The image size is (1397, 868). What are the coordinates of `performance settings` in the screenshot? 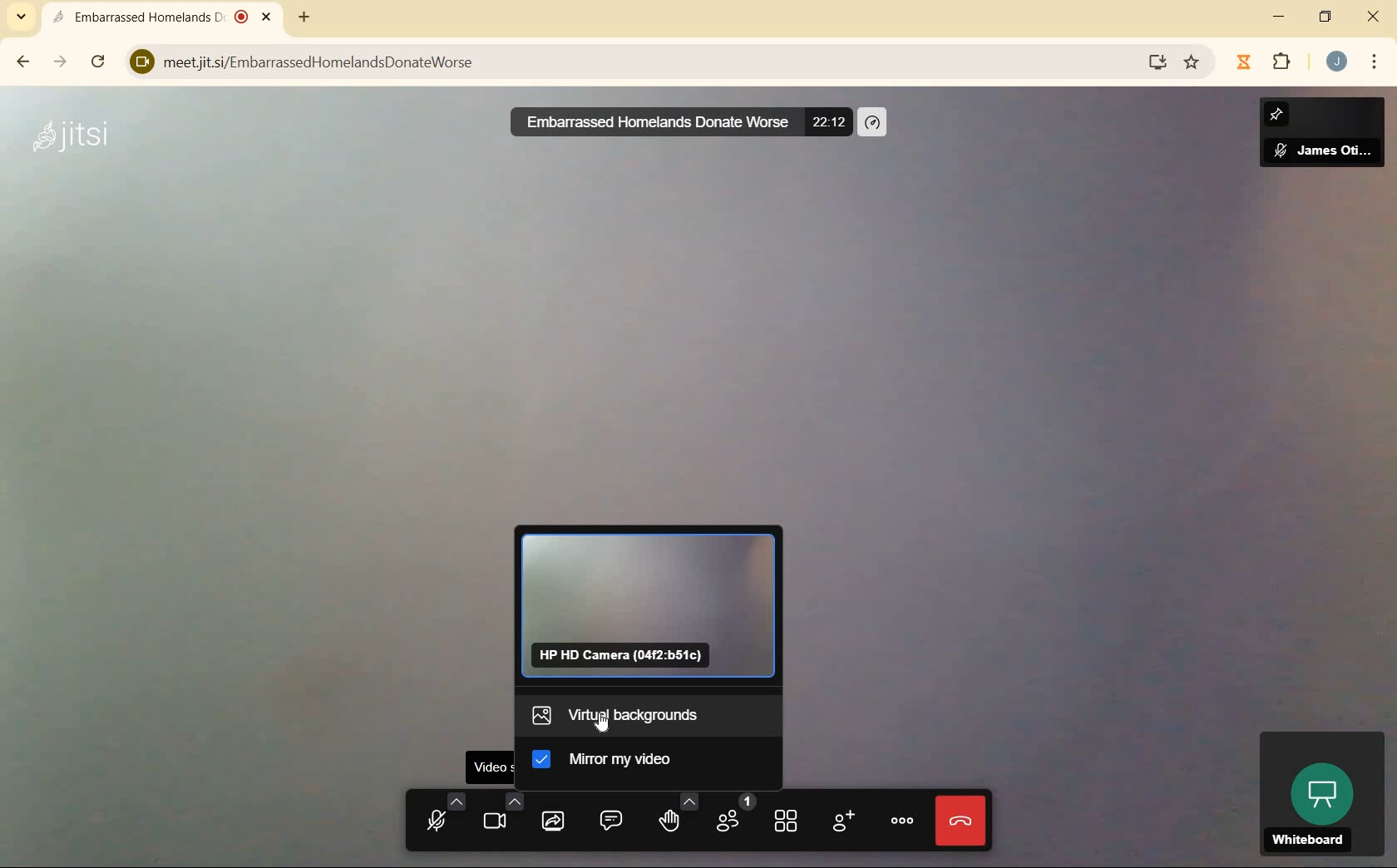 It's located at (874, 121).